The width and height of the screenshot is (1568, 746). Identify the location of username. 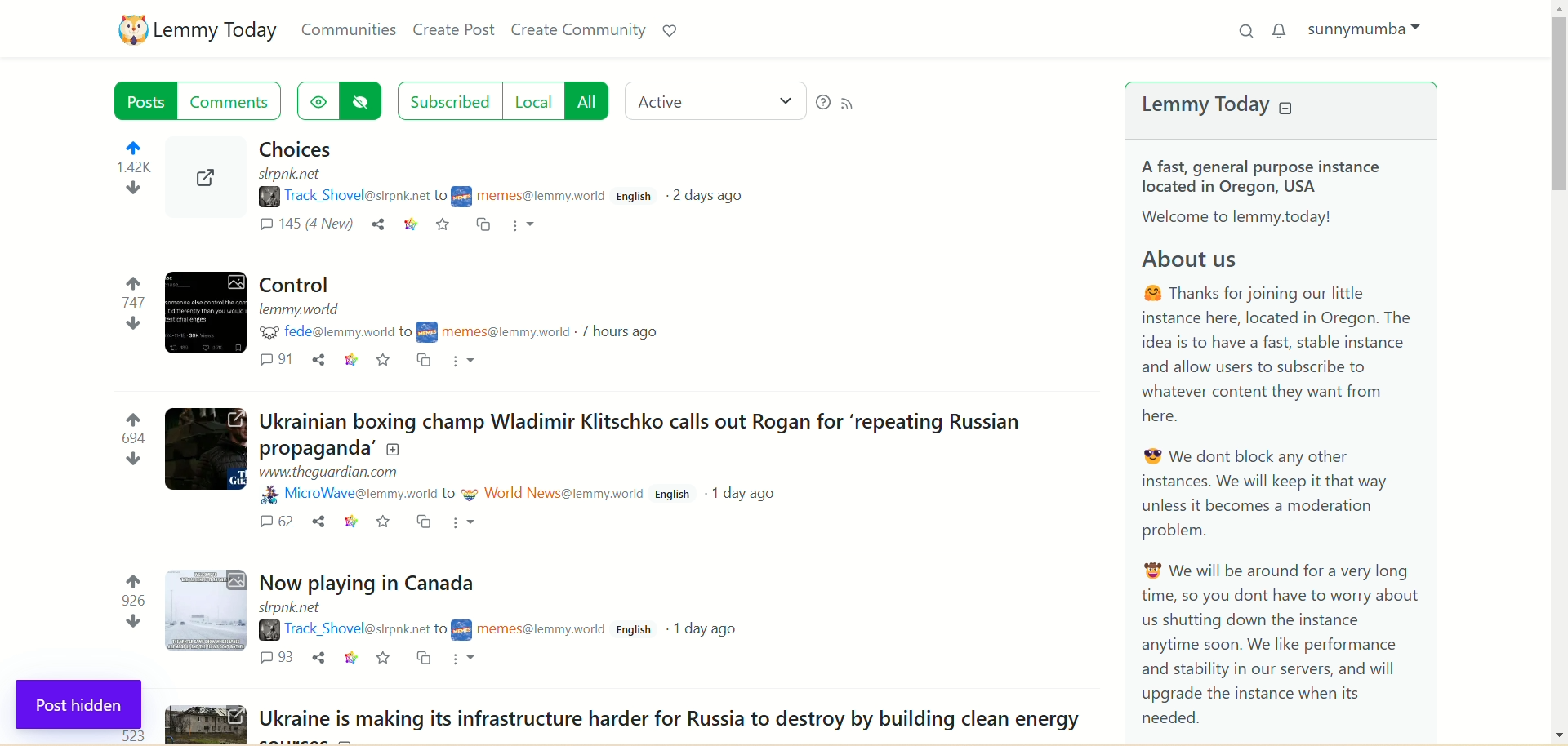
(331, 333).